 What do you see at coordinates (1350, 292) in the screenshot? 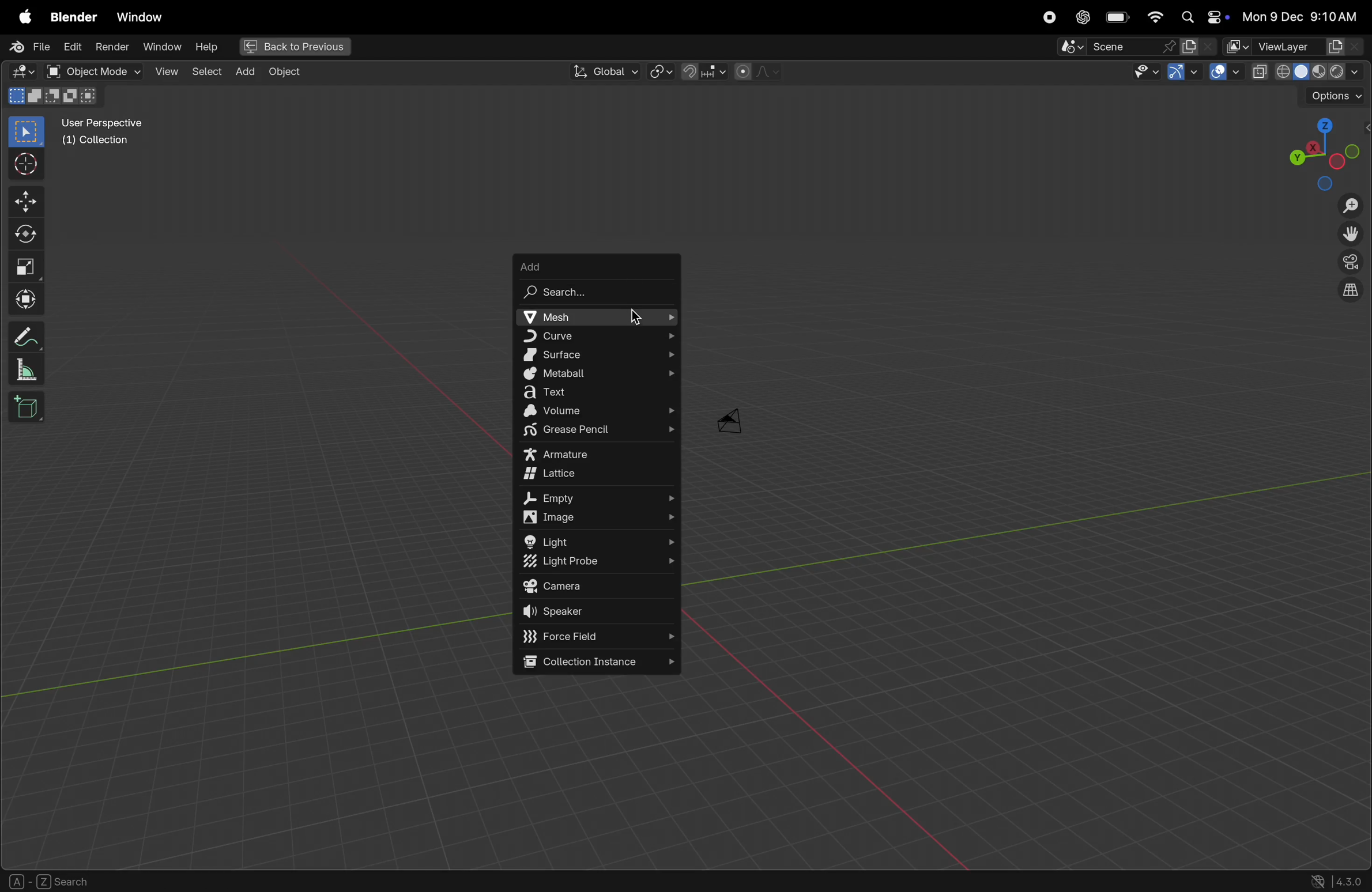
I see `orthogonal perspective` at bounding box center [1350, 292].